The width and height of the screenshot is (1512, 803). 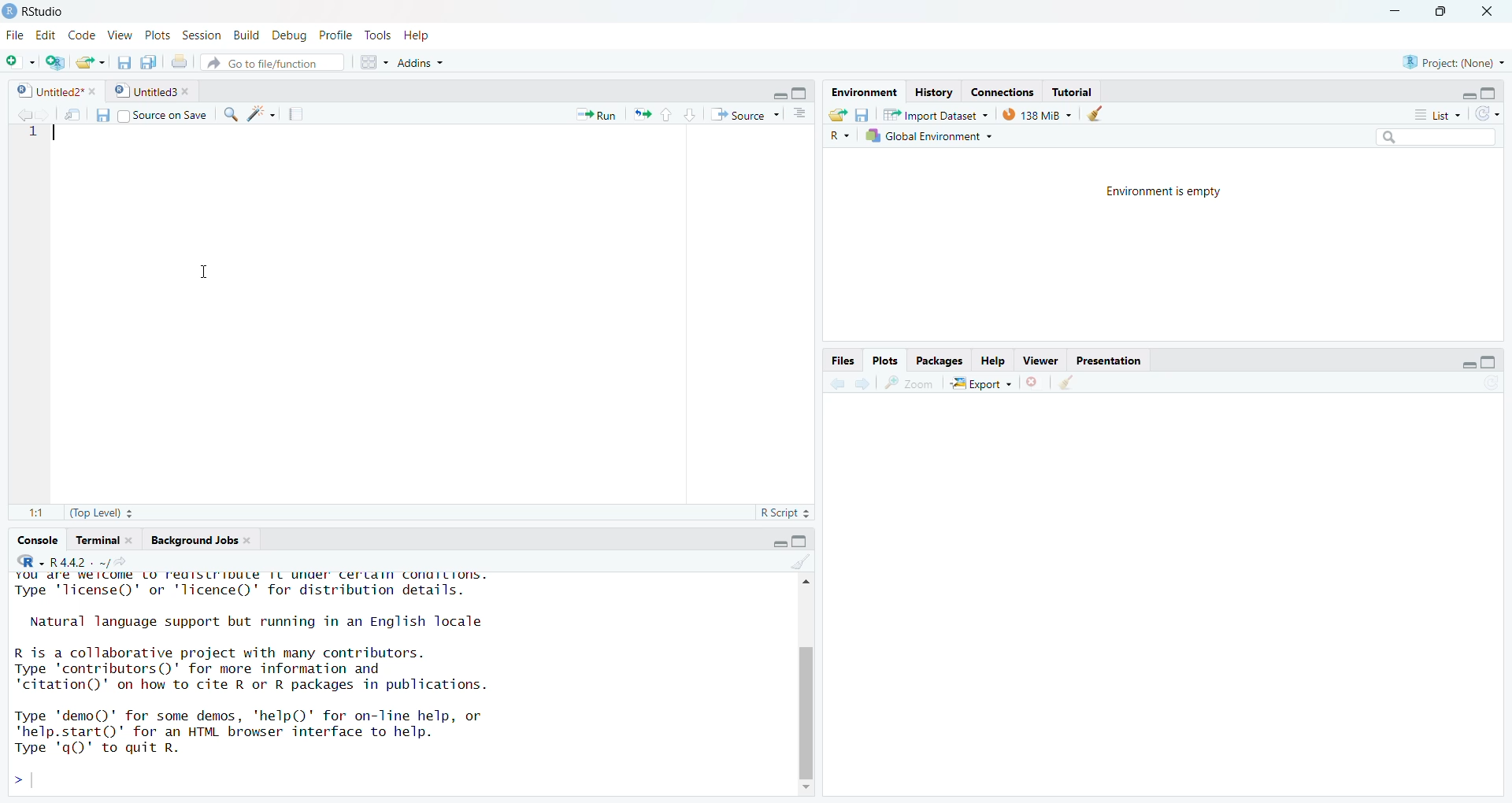 What do you see at coordinates (1420, 136) in the screenshot?
I see `Search` at bounding box center [1420, 136].